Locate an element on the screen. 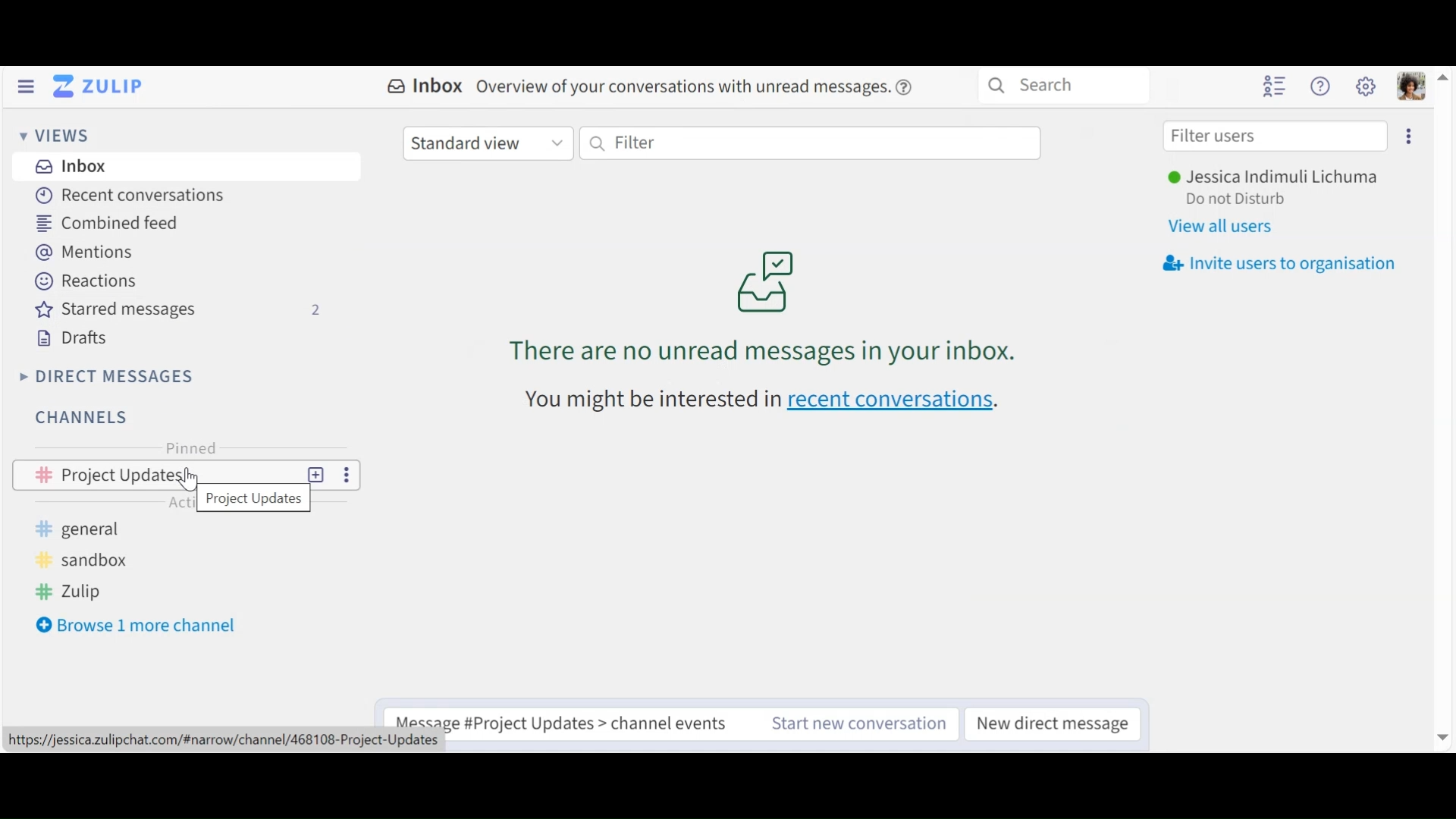  Recent Conversations is located at coordinates (130, 194).